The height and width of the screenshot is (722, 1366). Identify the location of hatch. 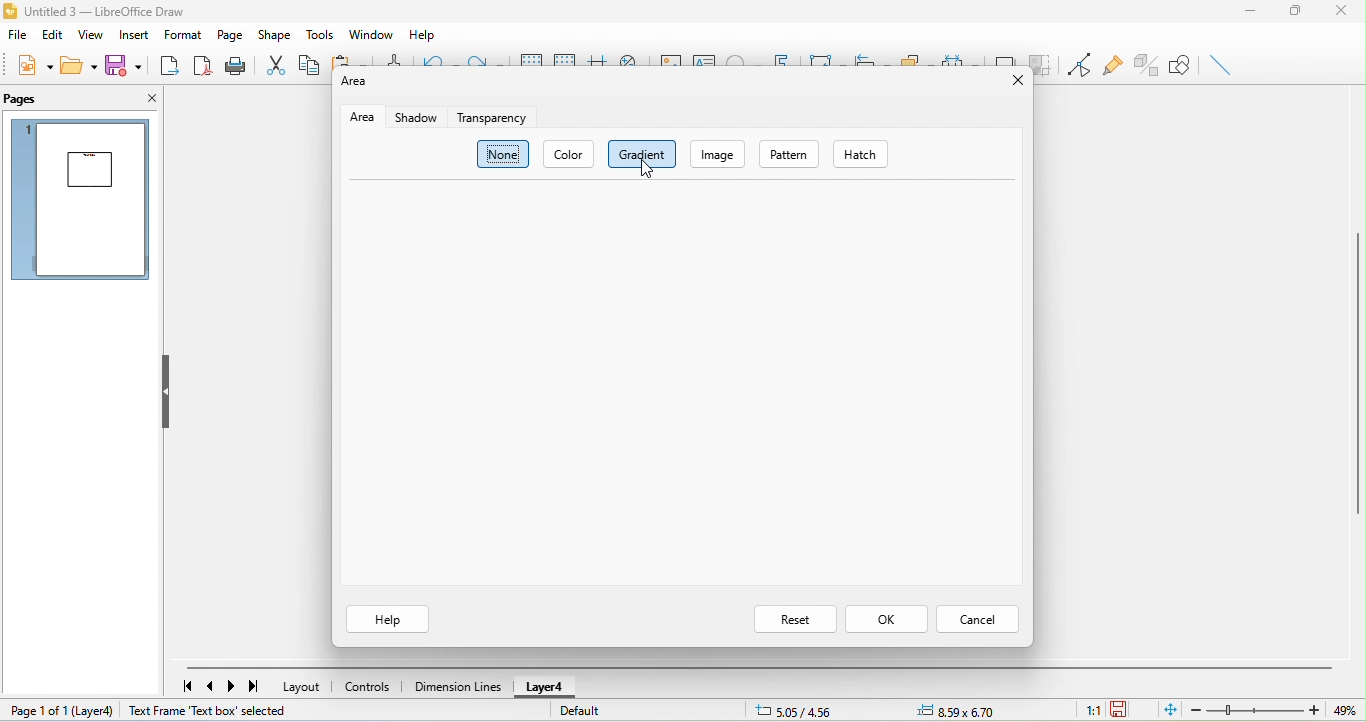
(864, 152).